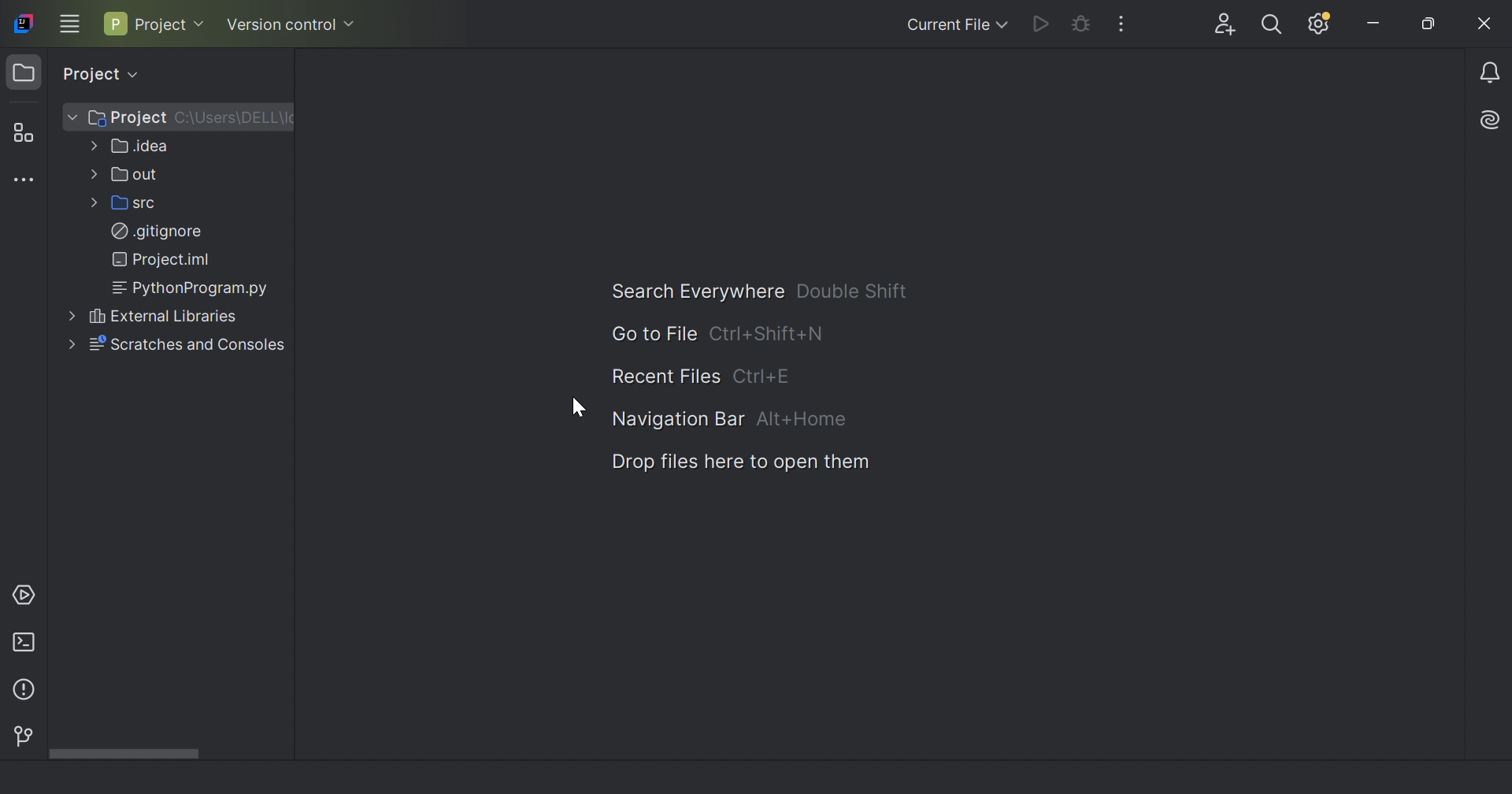  Describe the element at coordinates (28, 593) in the screenshot. I see `Services` at that location.